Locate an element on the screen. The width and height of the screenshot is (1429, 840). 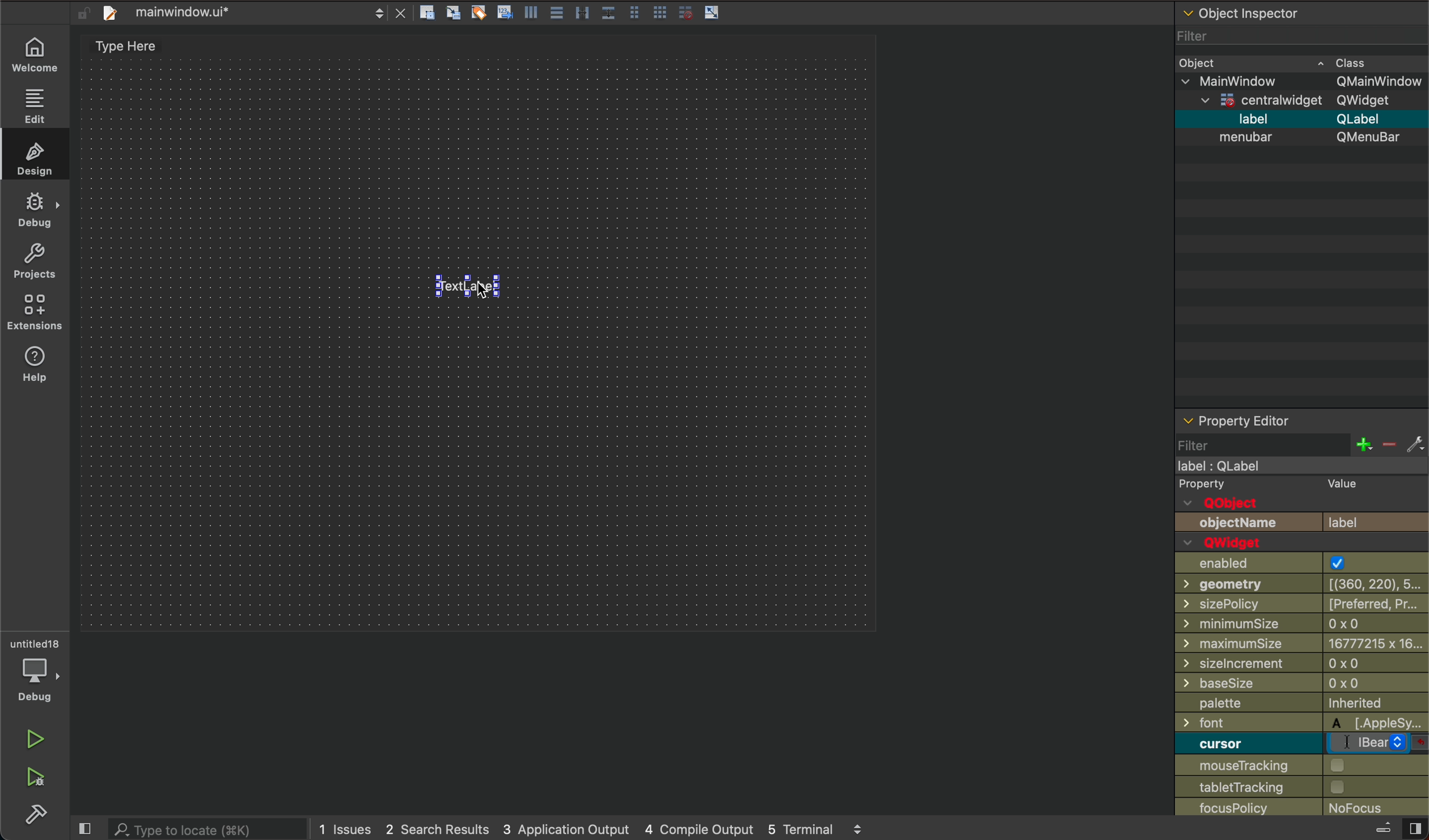
object inspector is located at coordinates (1303, 14).